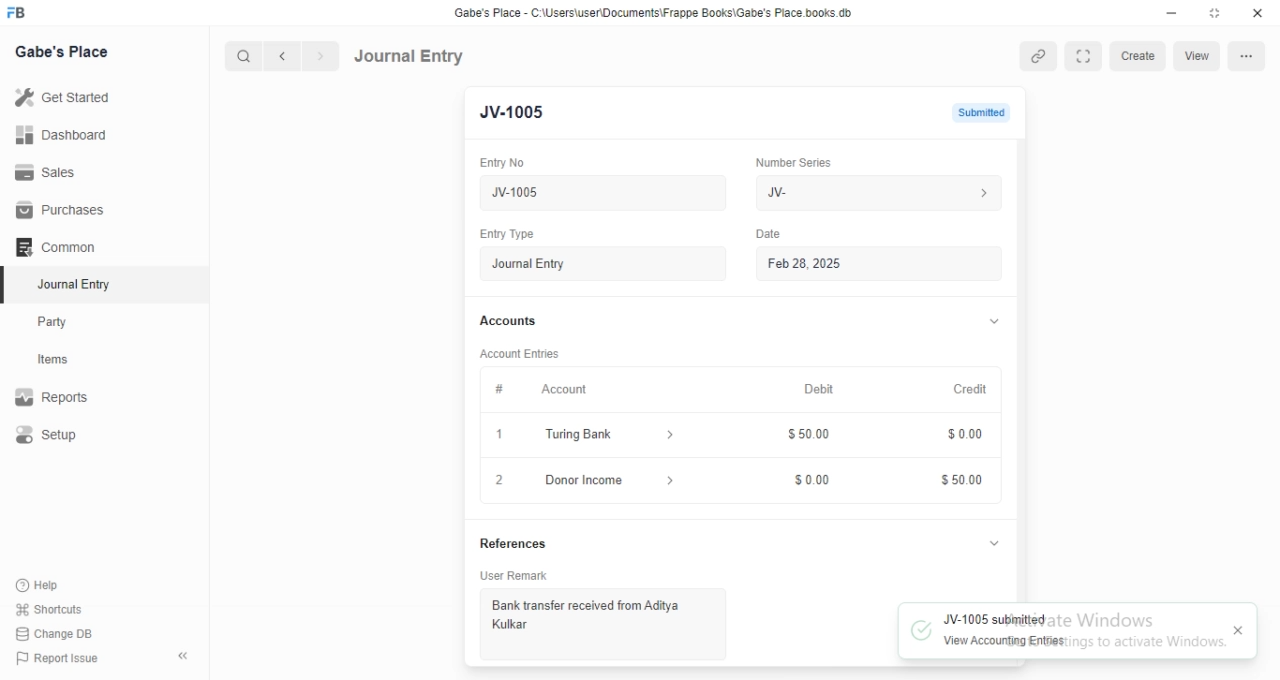 The height and width of the screenshot is (680, 1280). What do you see at coordinates (66, 436) in the screenshot?
I see `Setup` at bounding box center [66, 436].